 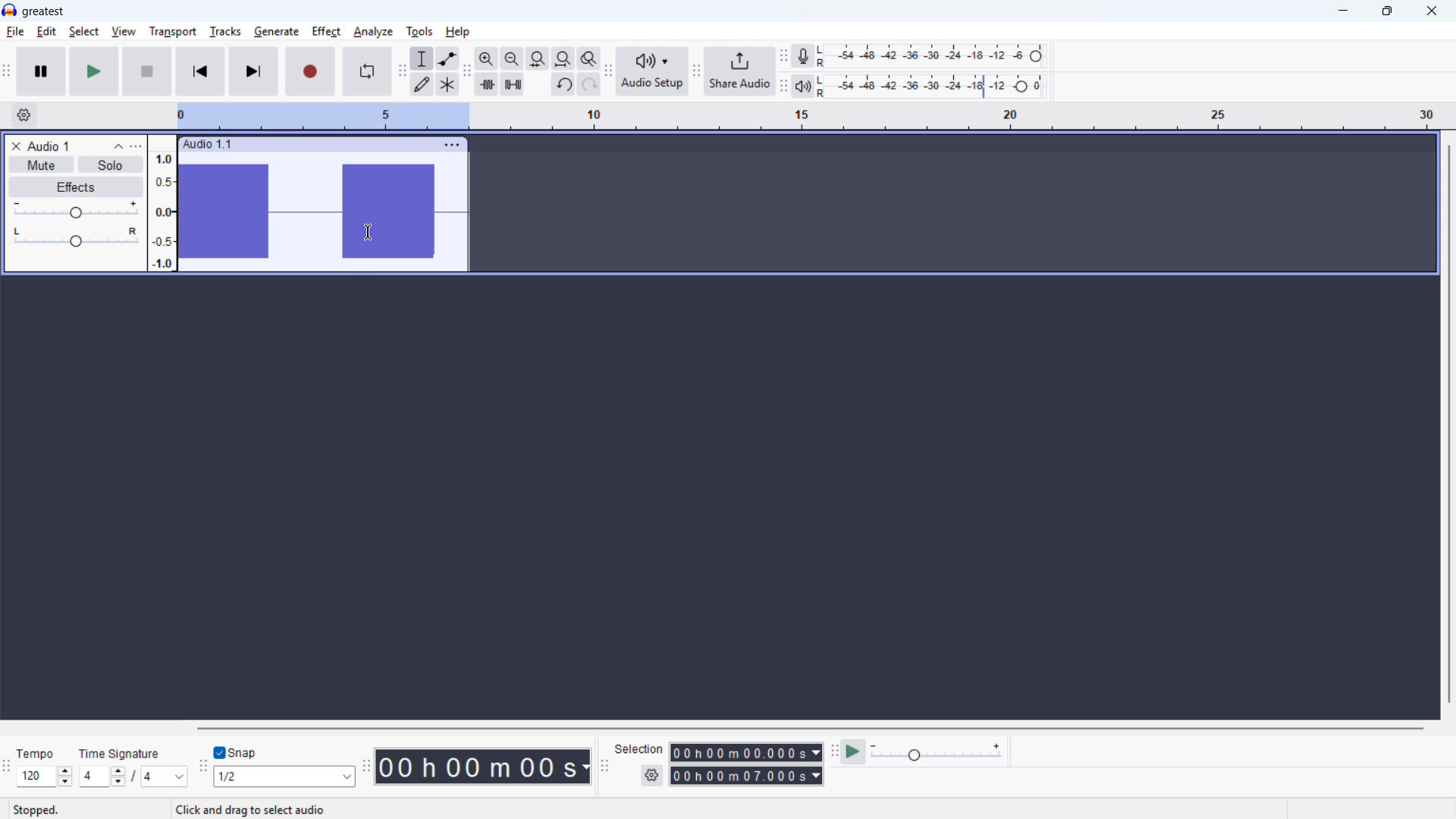 I want to click on Play at speed toolbar , so click(x=834, y=754).